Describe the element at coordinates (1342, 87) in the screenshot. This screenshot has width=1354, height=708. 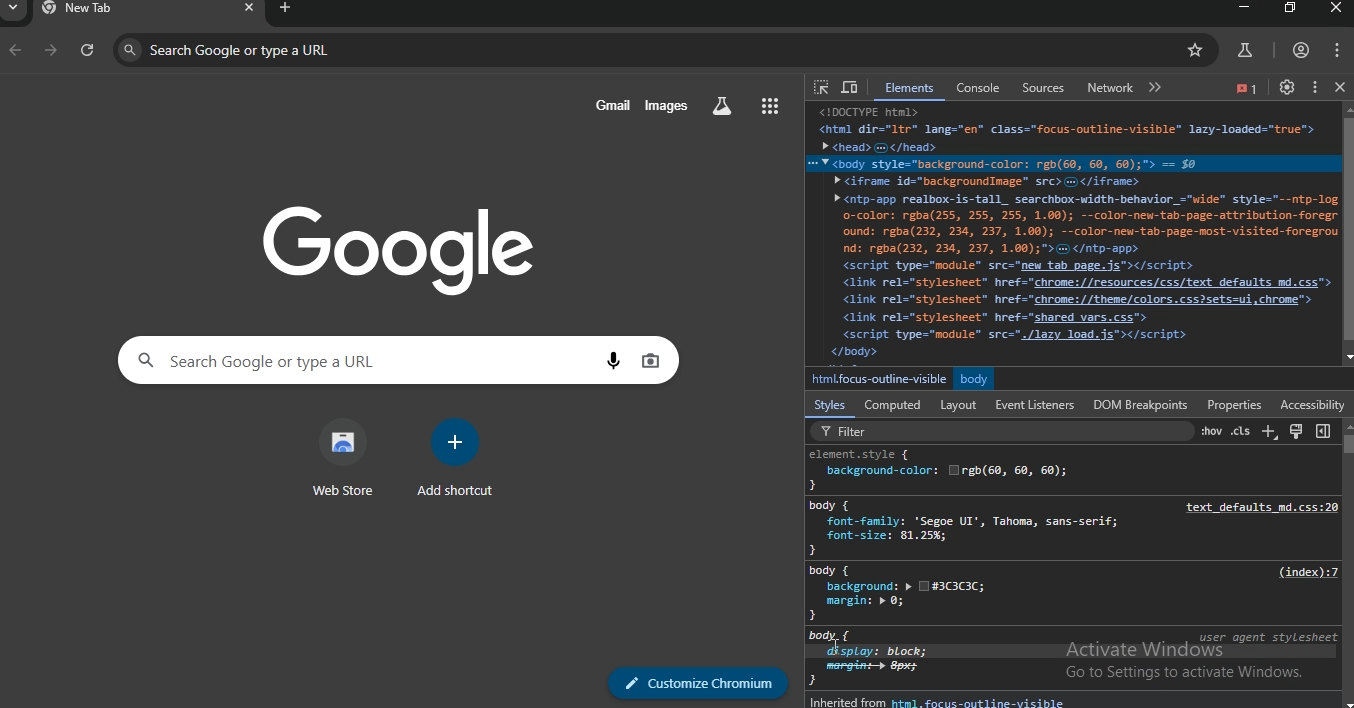
I see `close` at that location.